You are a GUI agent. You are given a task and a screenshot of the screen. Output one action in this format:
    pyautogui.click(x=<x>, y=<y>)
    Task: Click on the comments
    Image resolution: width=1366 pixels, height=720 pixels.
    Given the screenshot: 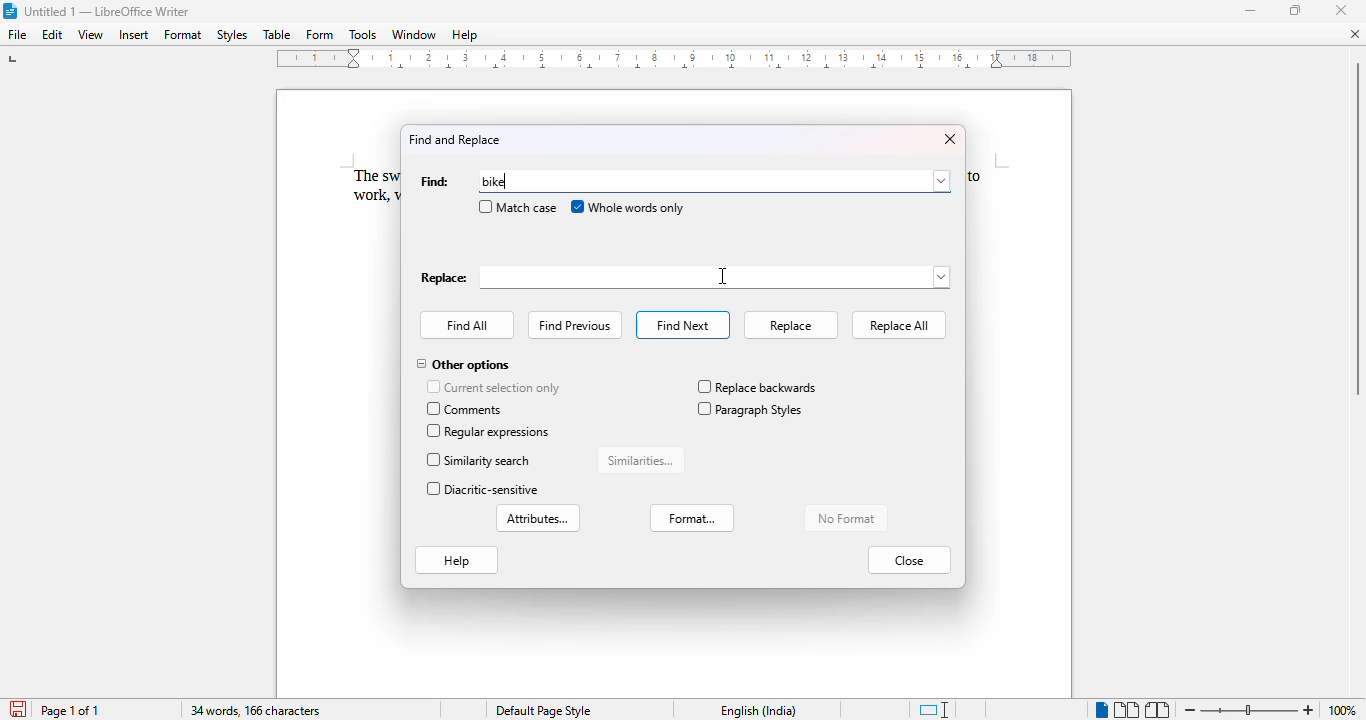 What is the action you would take?
    pyautogui.click(x=467, y=409)
    